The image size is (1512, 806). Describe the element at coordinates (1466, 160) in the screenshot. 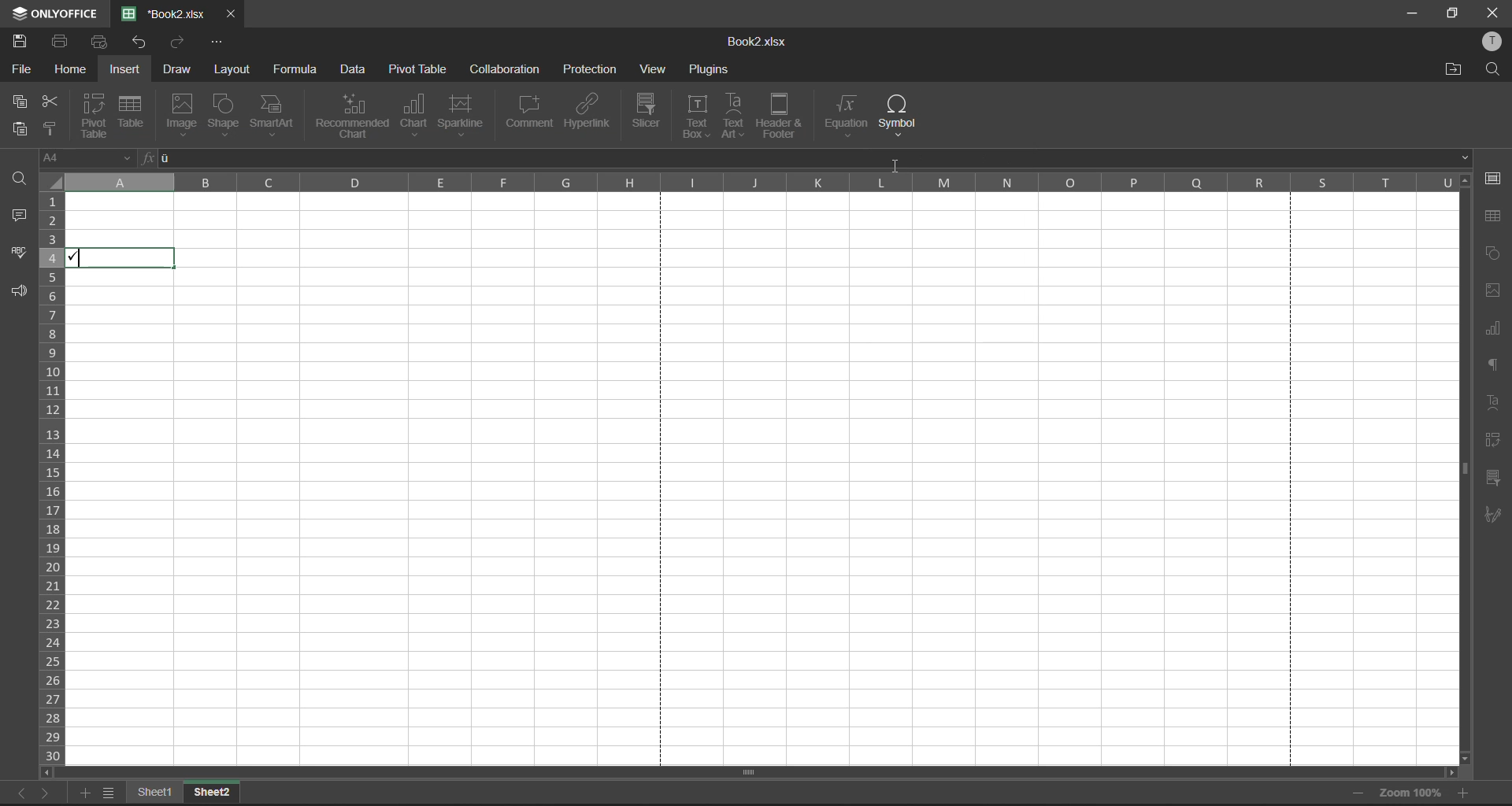

I see `down` at that location.